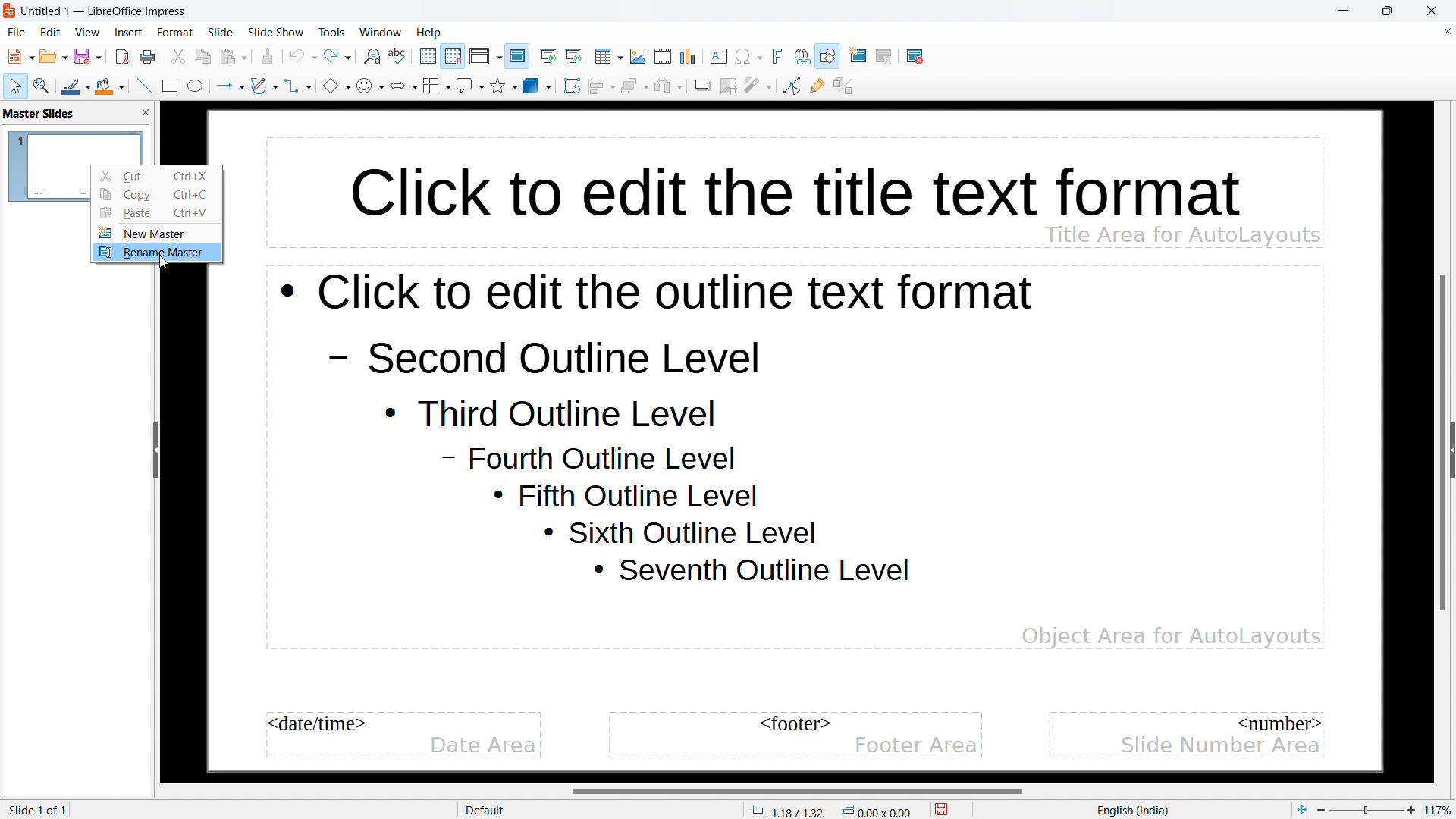 This screenshot has height=819, width=1456. Describe the element at coordinates (157, 175) in the screenshot. I see `cut` at that location.